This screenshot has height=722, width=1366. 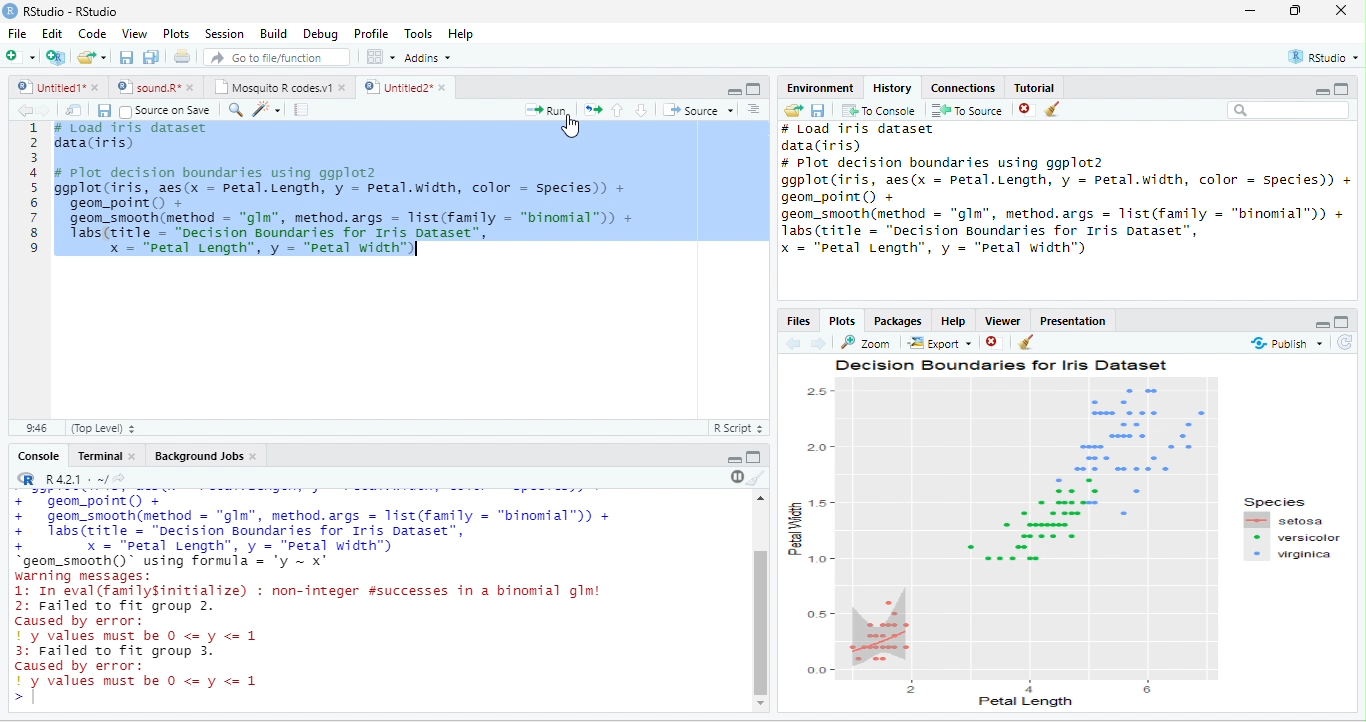 I want to click on Viewer, so click(x=1003, y=321).